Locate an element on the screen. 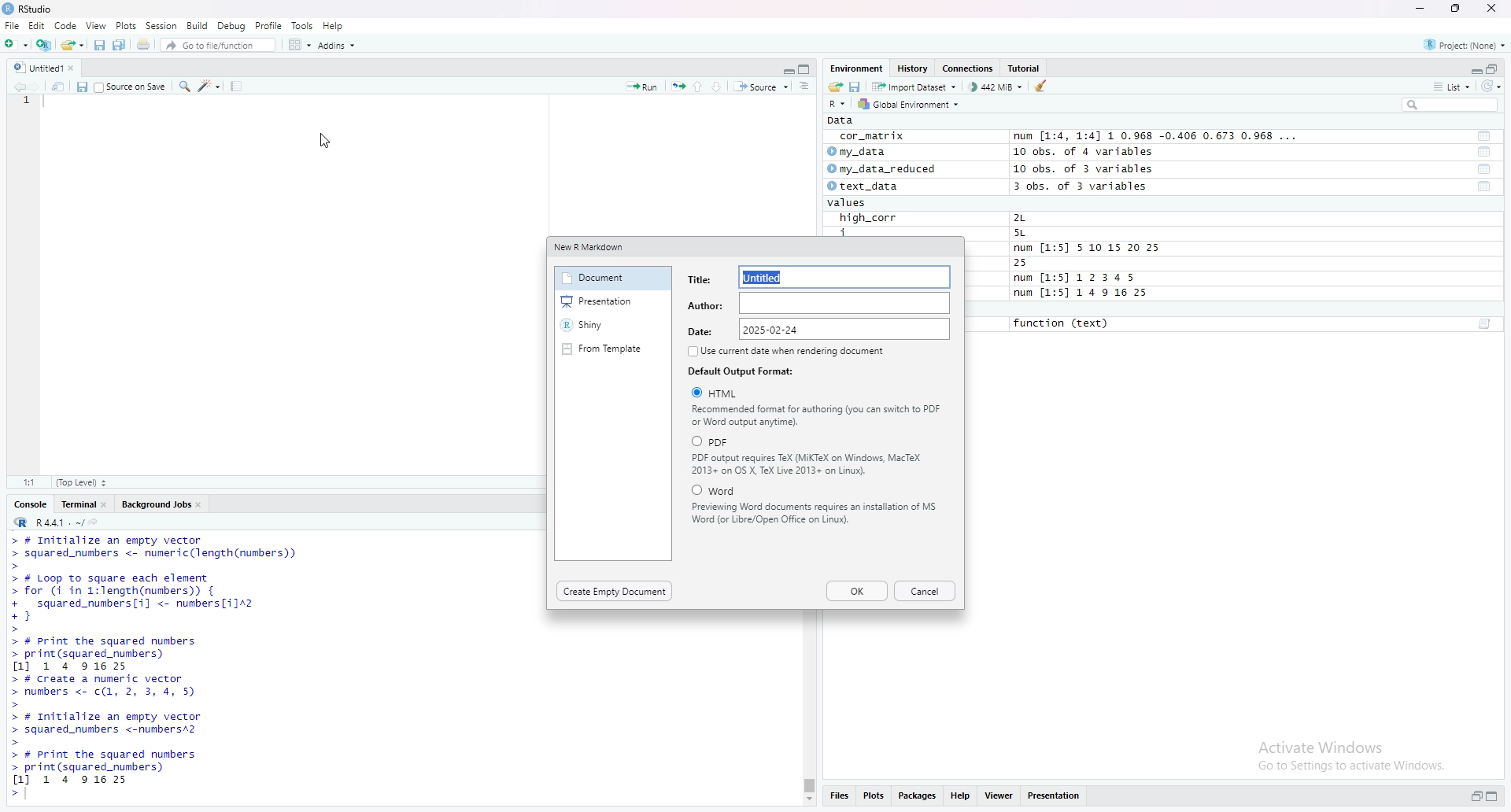 The height and width of the screenshot is (812, 1511). R is located at coordinates (833, 105).